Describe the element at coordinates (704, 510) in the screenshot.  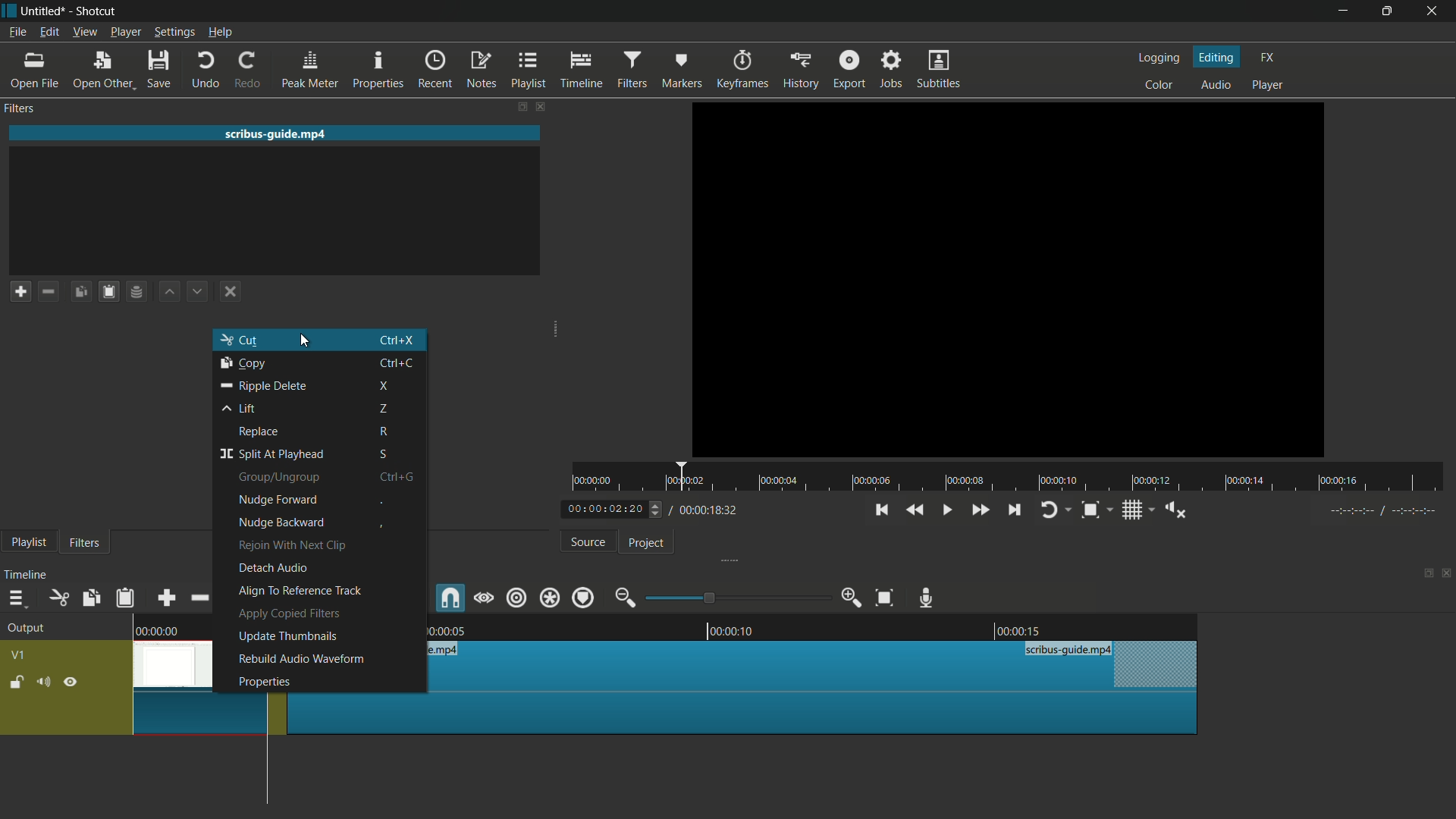
I see `total time` at that location.